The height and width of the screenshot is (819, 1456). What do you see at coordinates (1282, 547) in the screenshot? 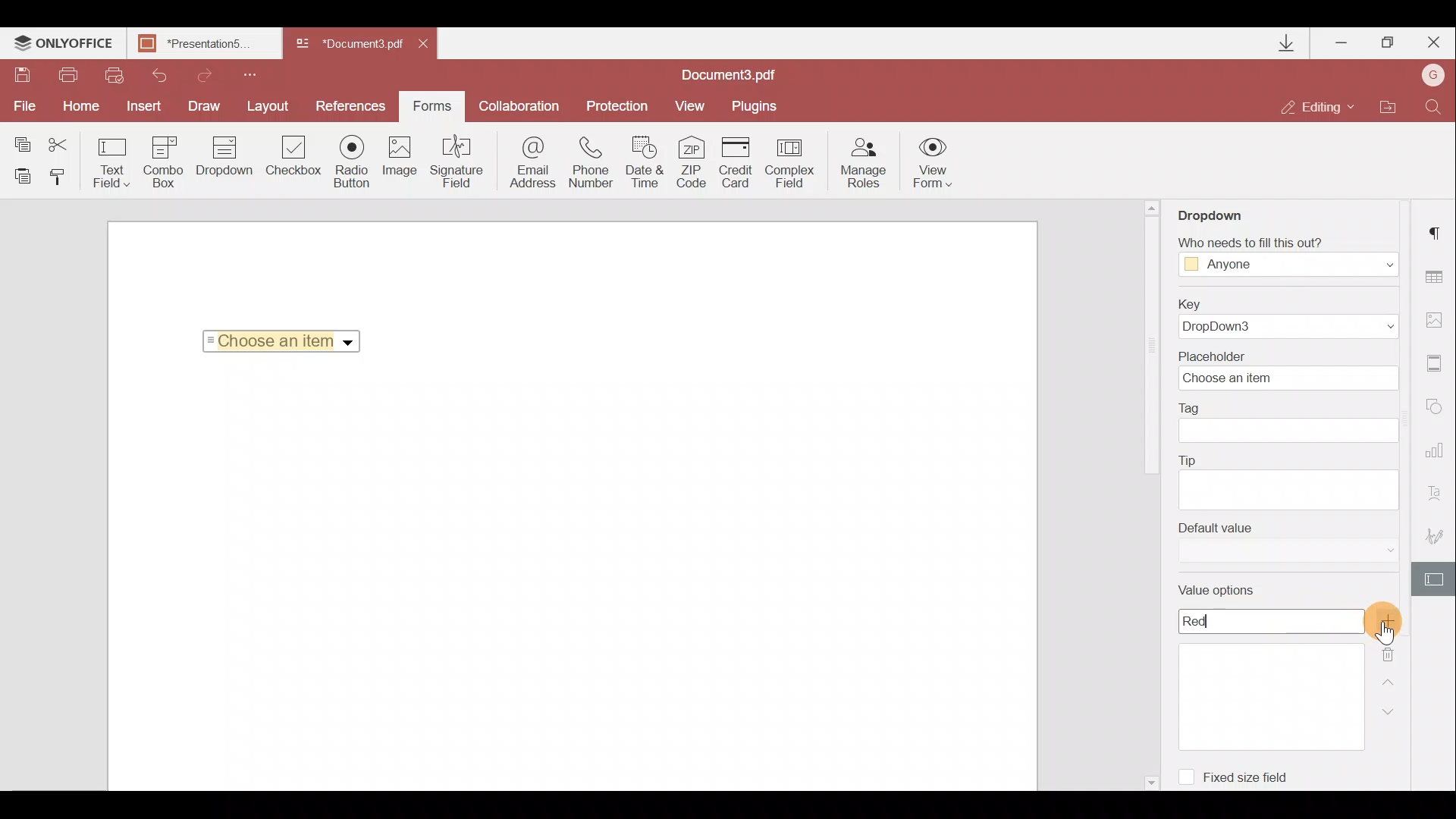
I see `Default value` at bounding box center [1282, 547].